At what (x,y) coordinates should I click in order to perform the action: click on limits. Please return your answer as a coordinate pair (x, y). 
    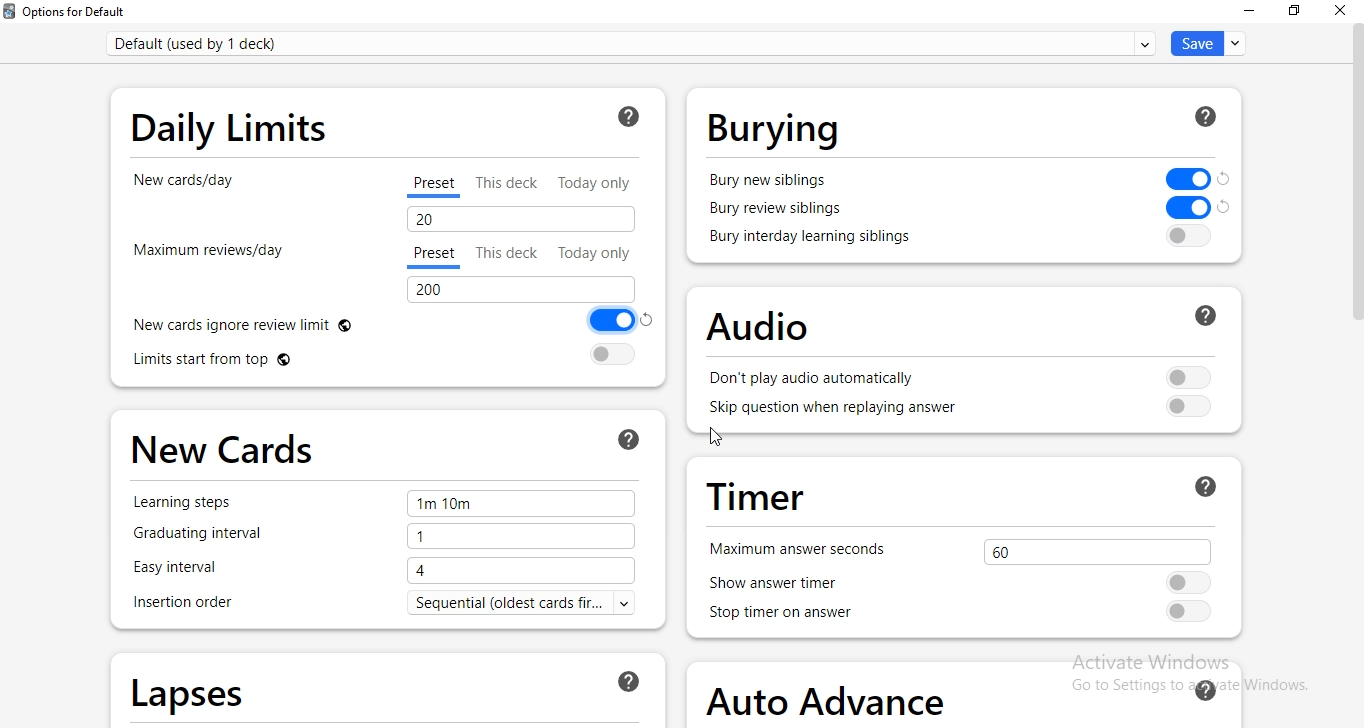
    Looking at the image, I should click on (263, 362).